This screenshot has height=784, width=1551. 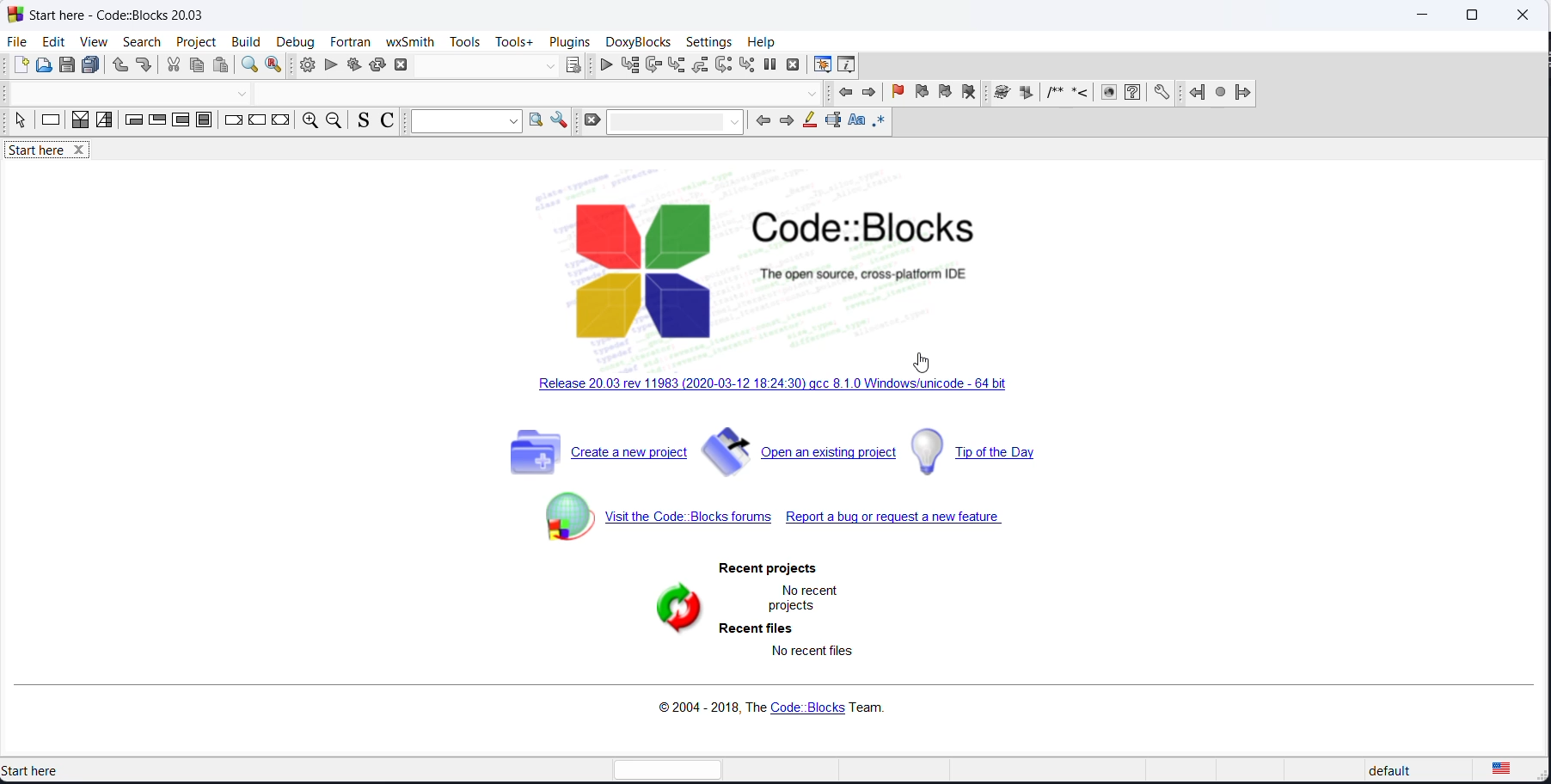 I want to click on settings, so click(x=706, y=43).